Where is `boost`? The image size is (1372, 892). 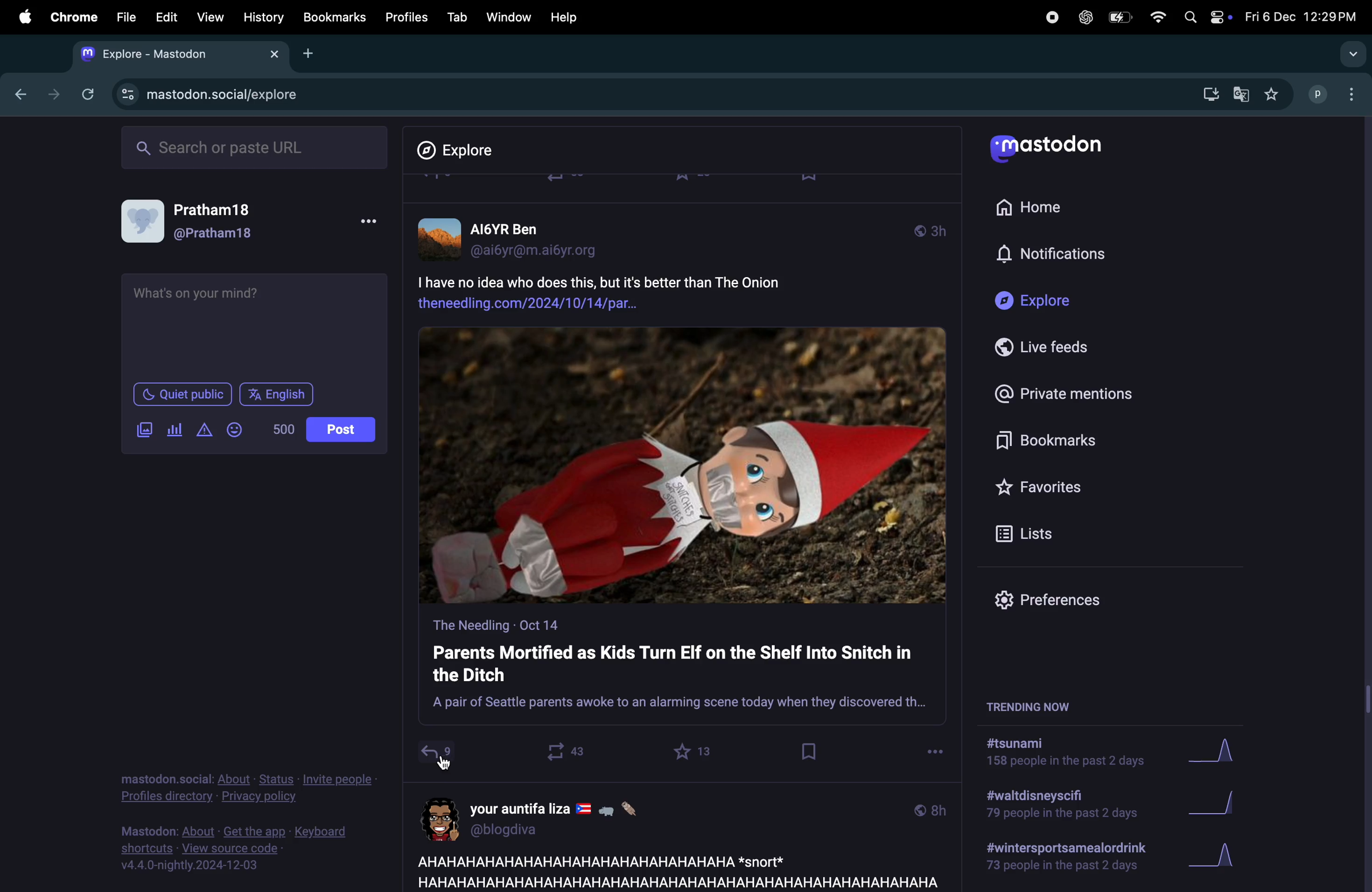
boost is located at coordinates (560, 751).